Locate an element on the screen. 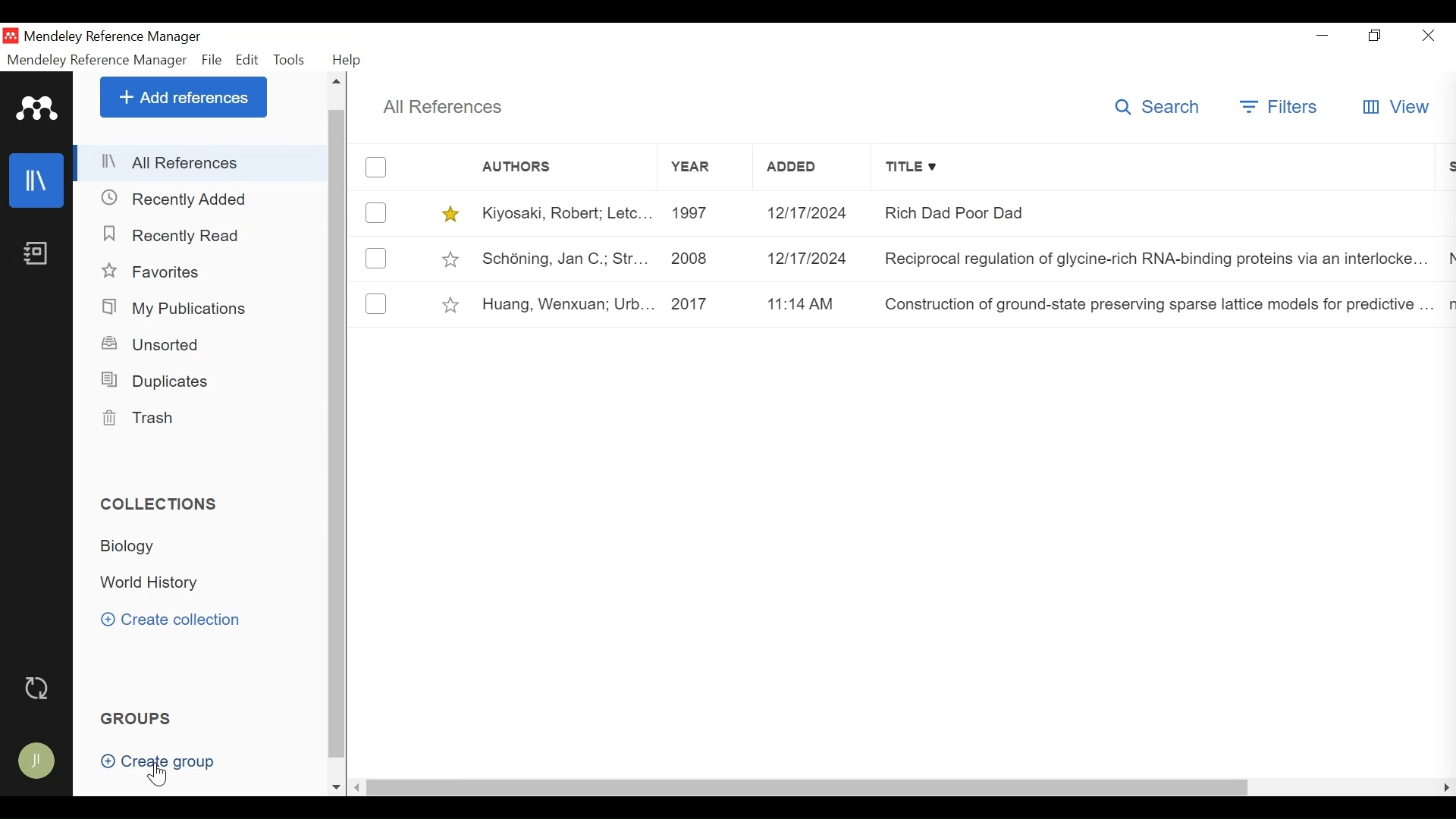 Image resolution: width=1456 pixels, height=819 pixels. Groups is located at coordinates (140, 717).